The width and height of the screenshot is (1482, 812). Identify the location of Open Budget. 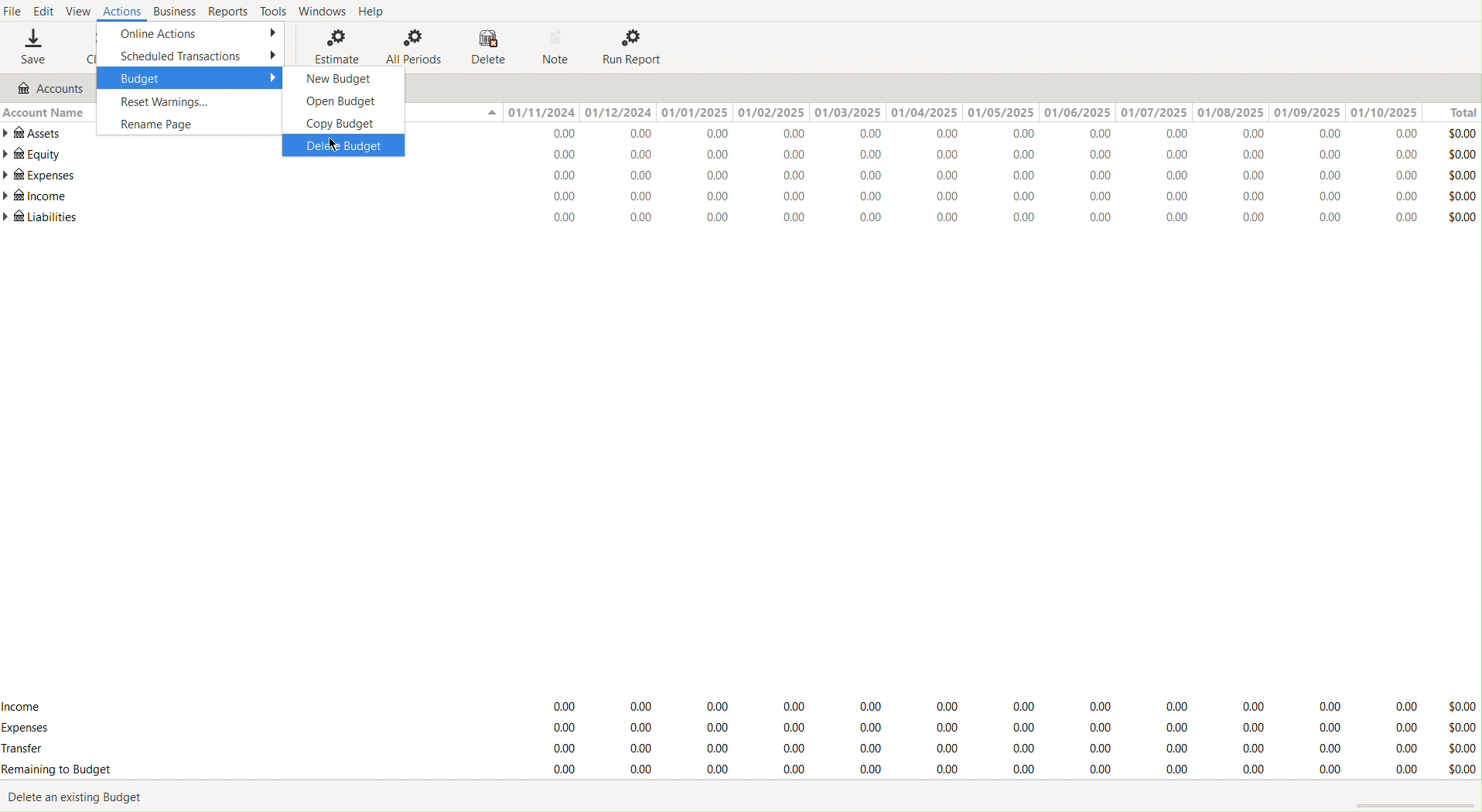
(343, 101).